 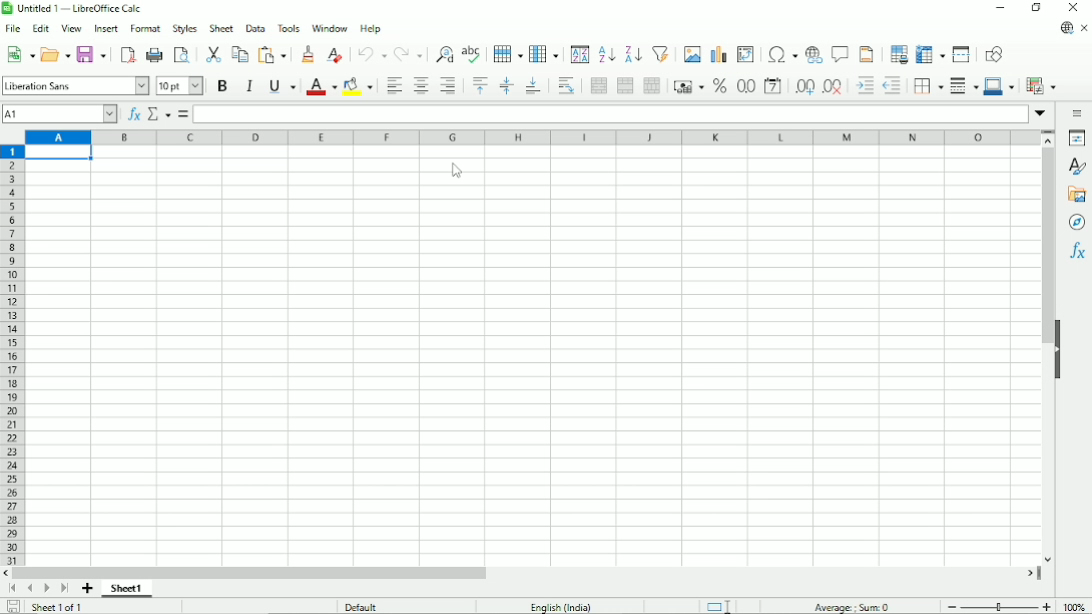 What do you see at coordinates (420, 87) in the screenshot?
I see `Align center` at bounding box center [420, 87].